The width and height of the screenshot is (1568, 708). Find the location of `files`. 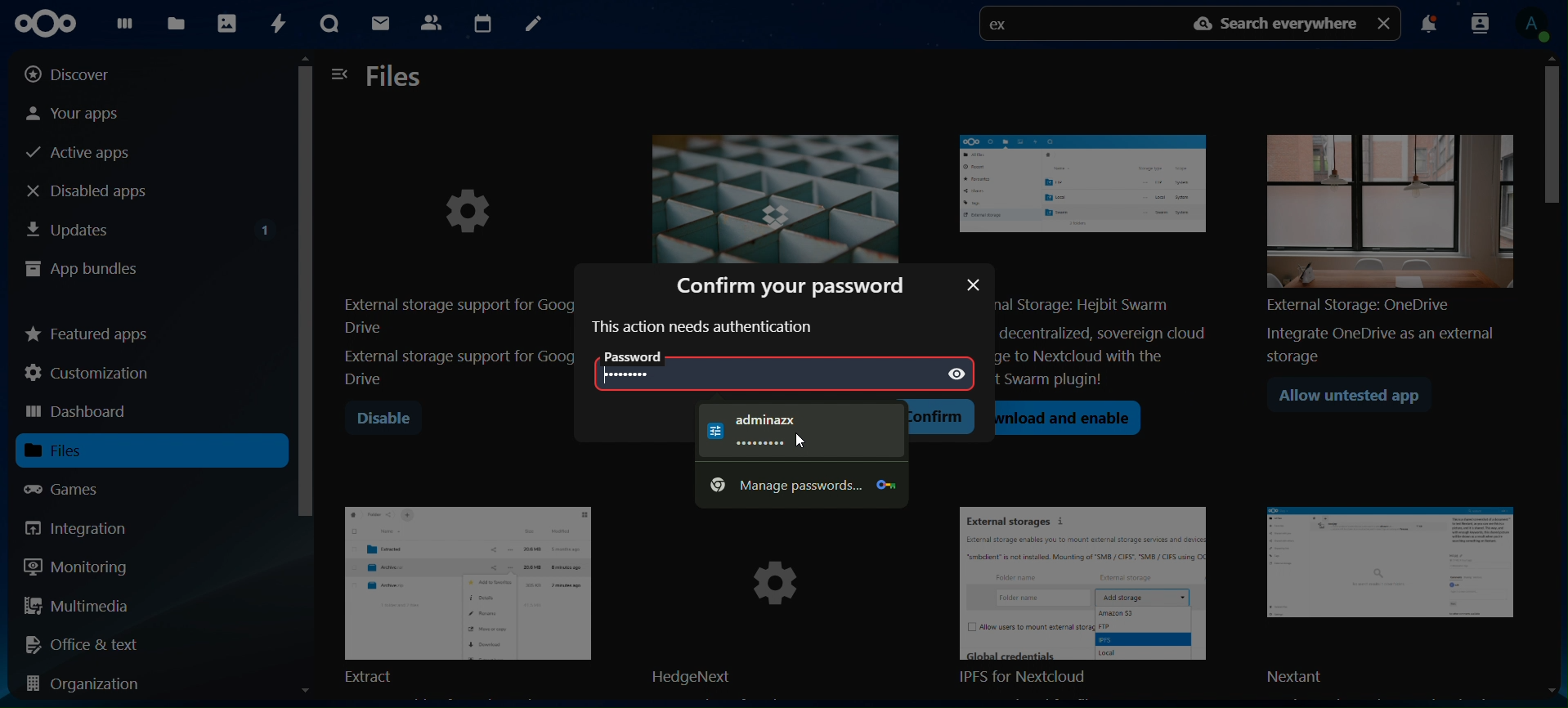

files is located at coordinates (179, 23).